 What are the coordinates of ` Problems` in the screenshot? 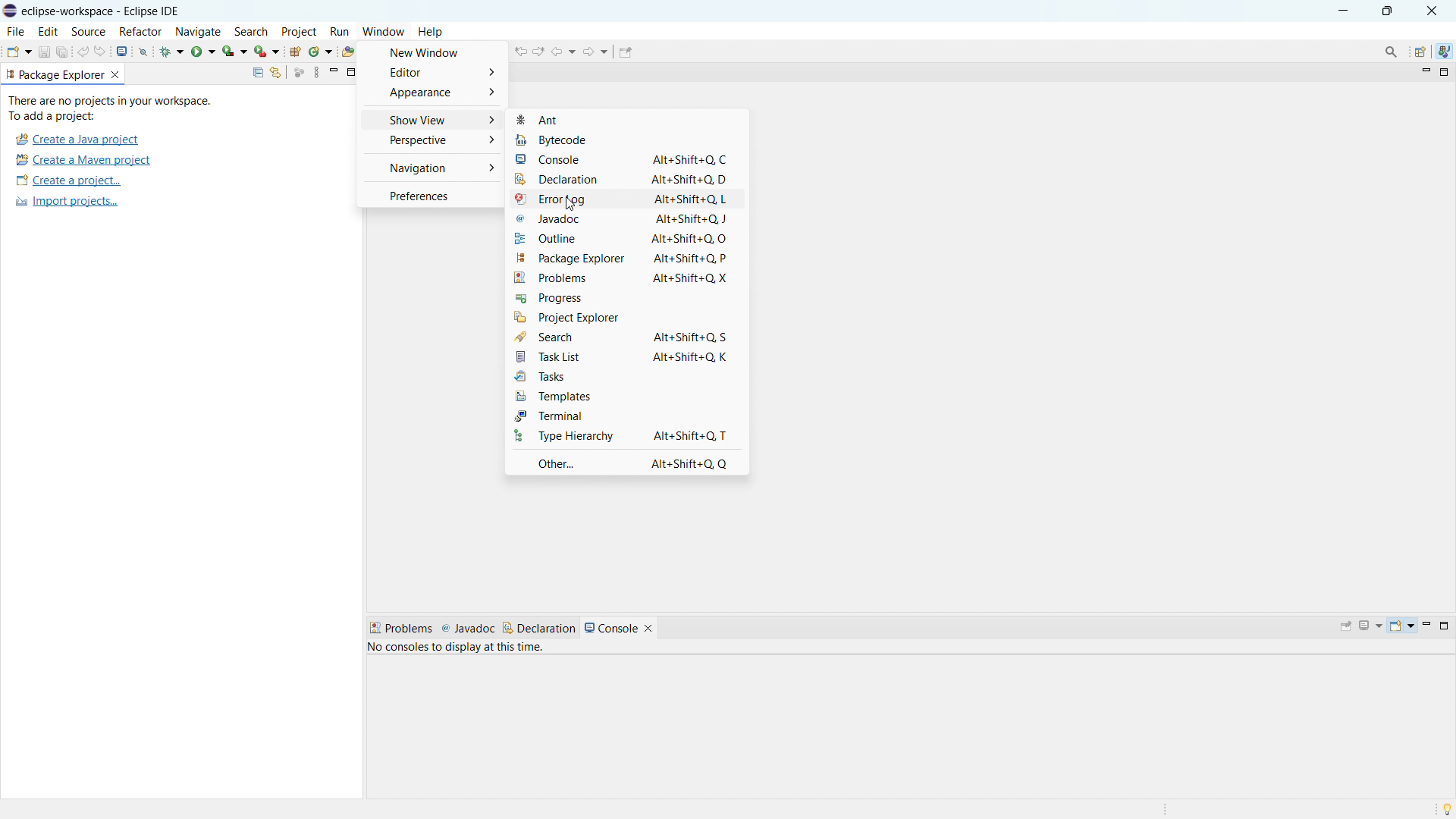 It's located at (400, 626).